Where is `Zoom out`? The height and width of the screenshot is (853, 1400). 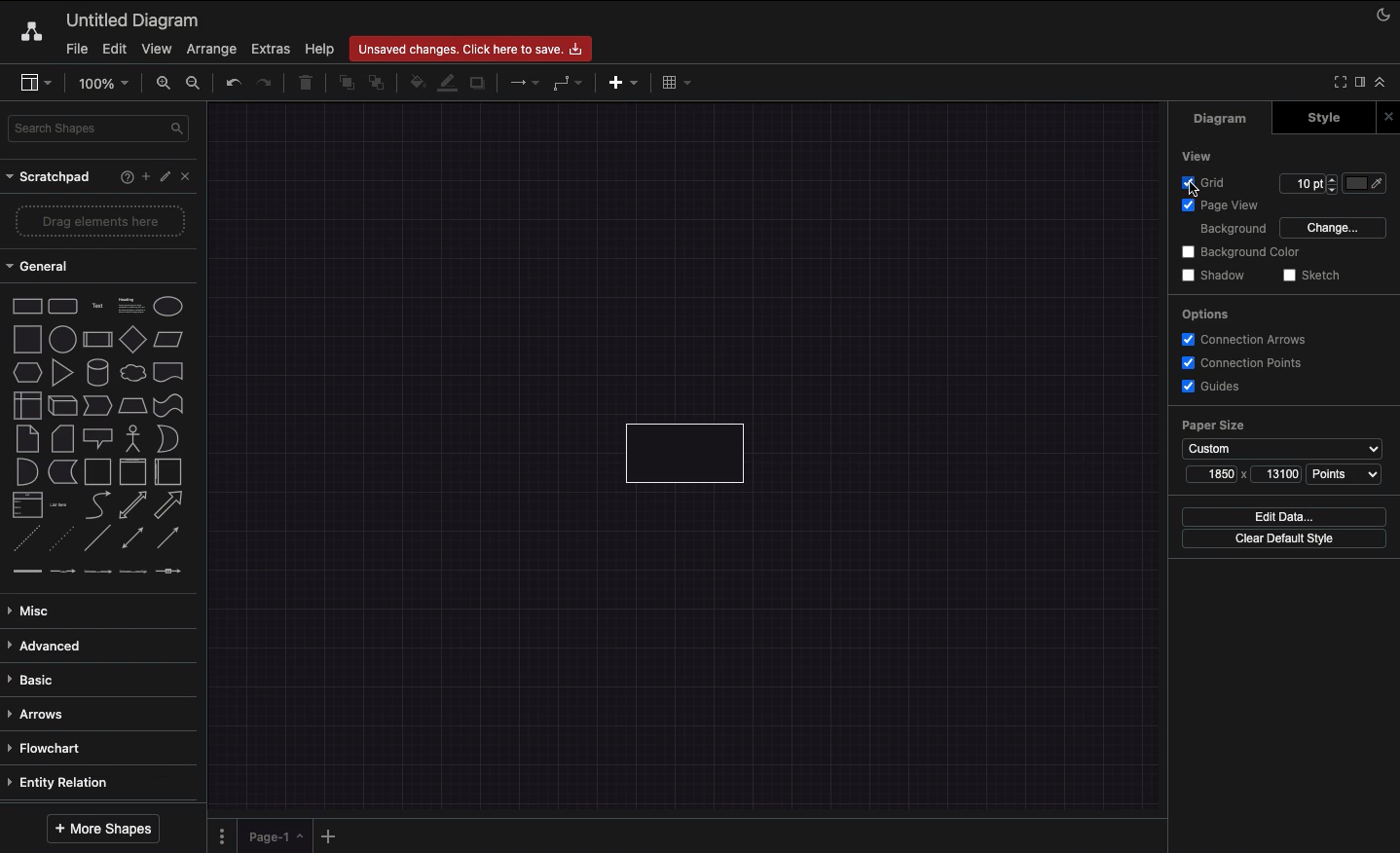
Zoom out is located at coordinates (195, 85).